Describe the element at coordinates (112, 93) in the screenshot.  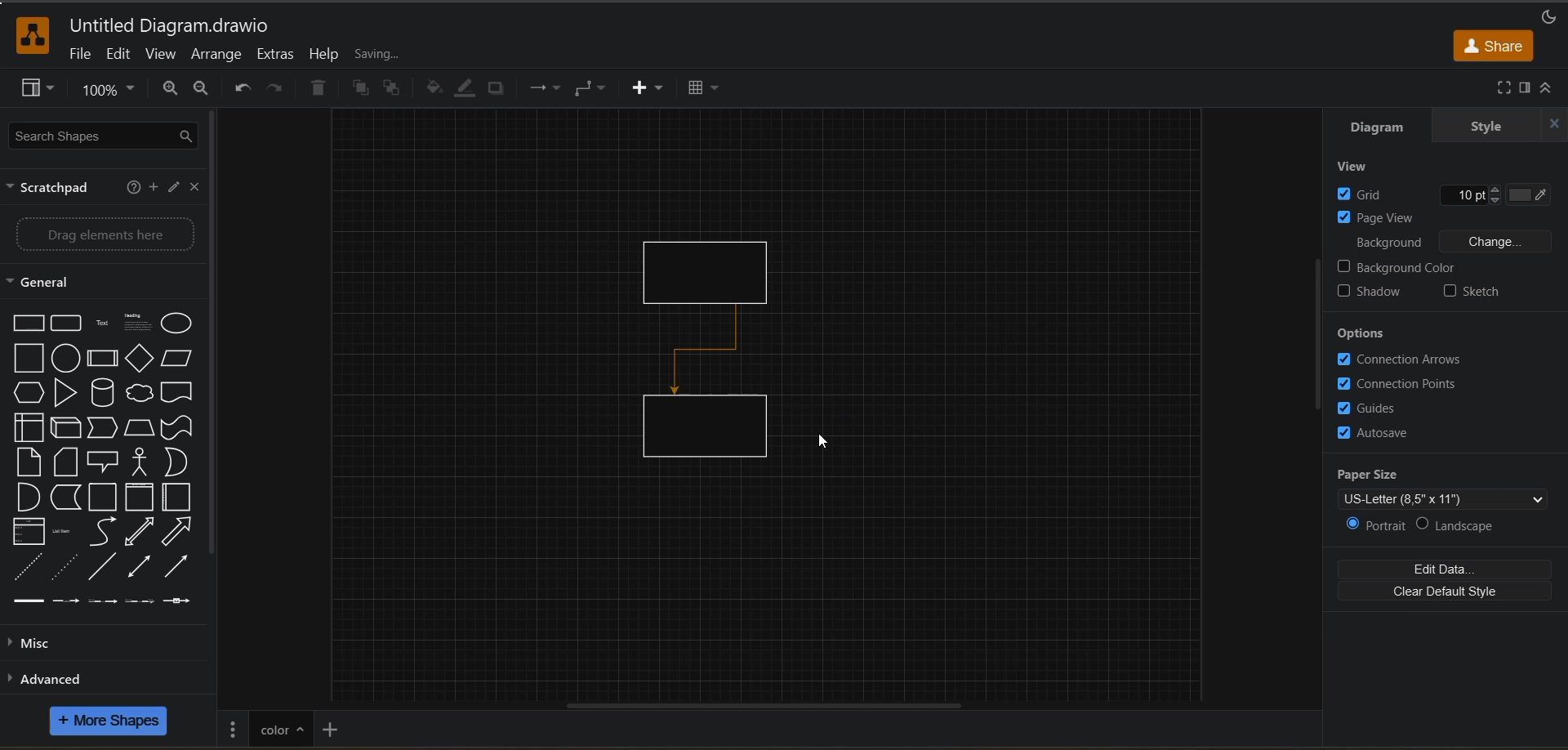
I see `zoom` at that location.